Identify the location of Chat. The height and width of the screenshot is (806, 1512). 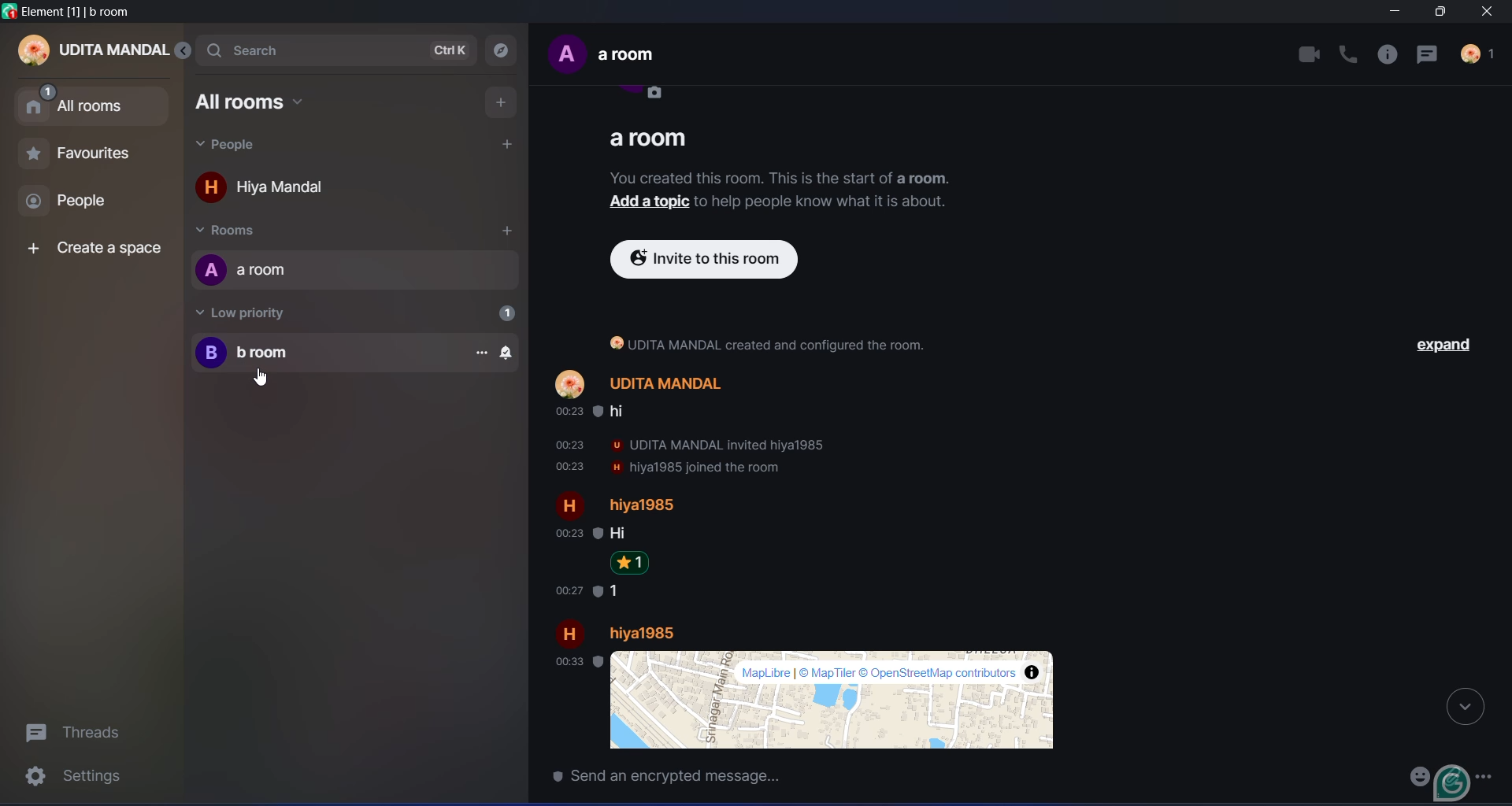
(1432, 54).